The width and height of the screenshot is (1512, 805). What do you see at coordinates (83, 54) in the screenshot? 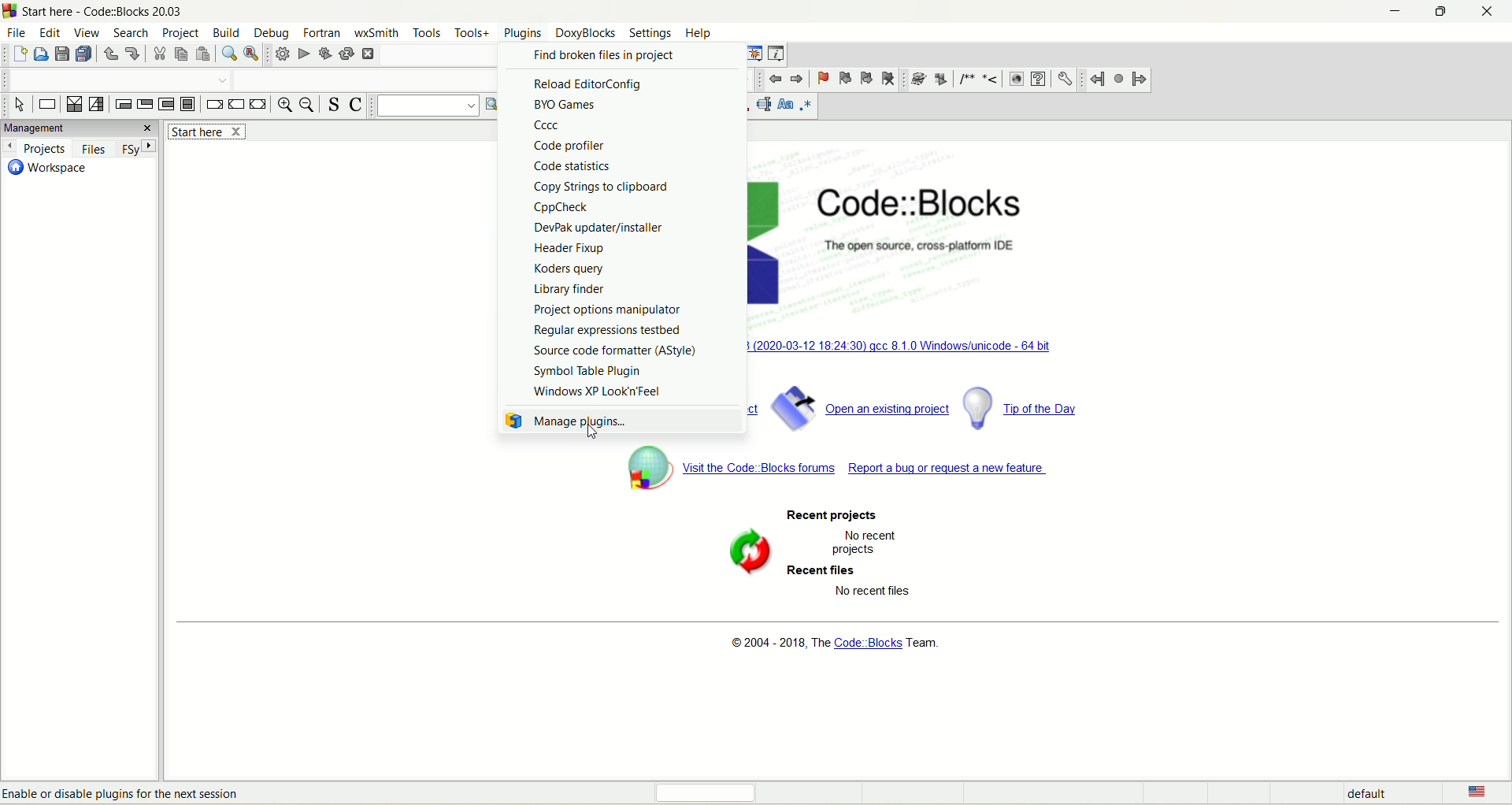
I see `save everything` at bounding box center [83, 54].